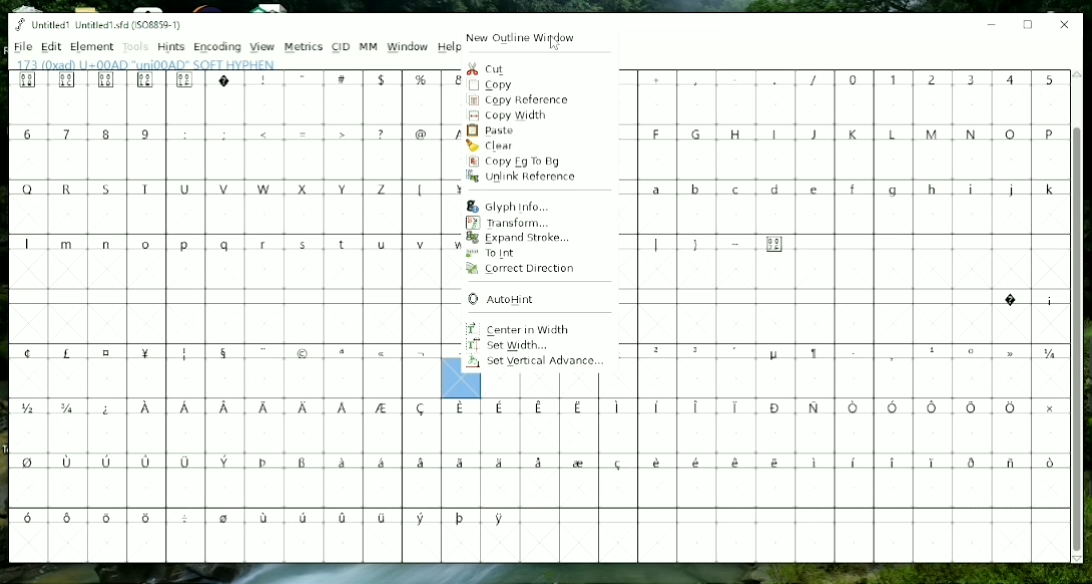  Describe the element at coordinates (855, 189) in the screenshot. I see `Small letters` at that location.